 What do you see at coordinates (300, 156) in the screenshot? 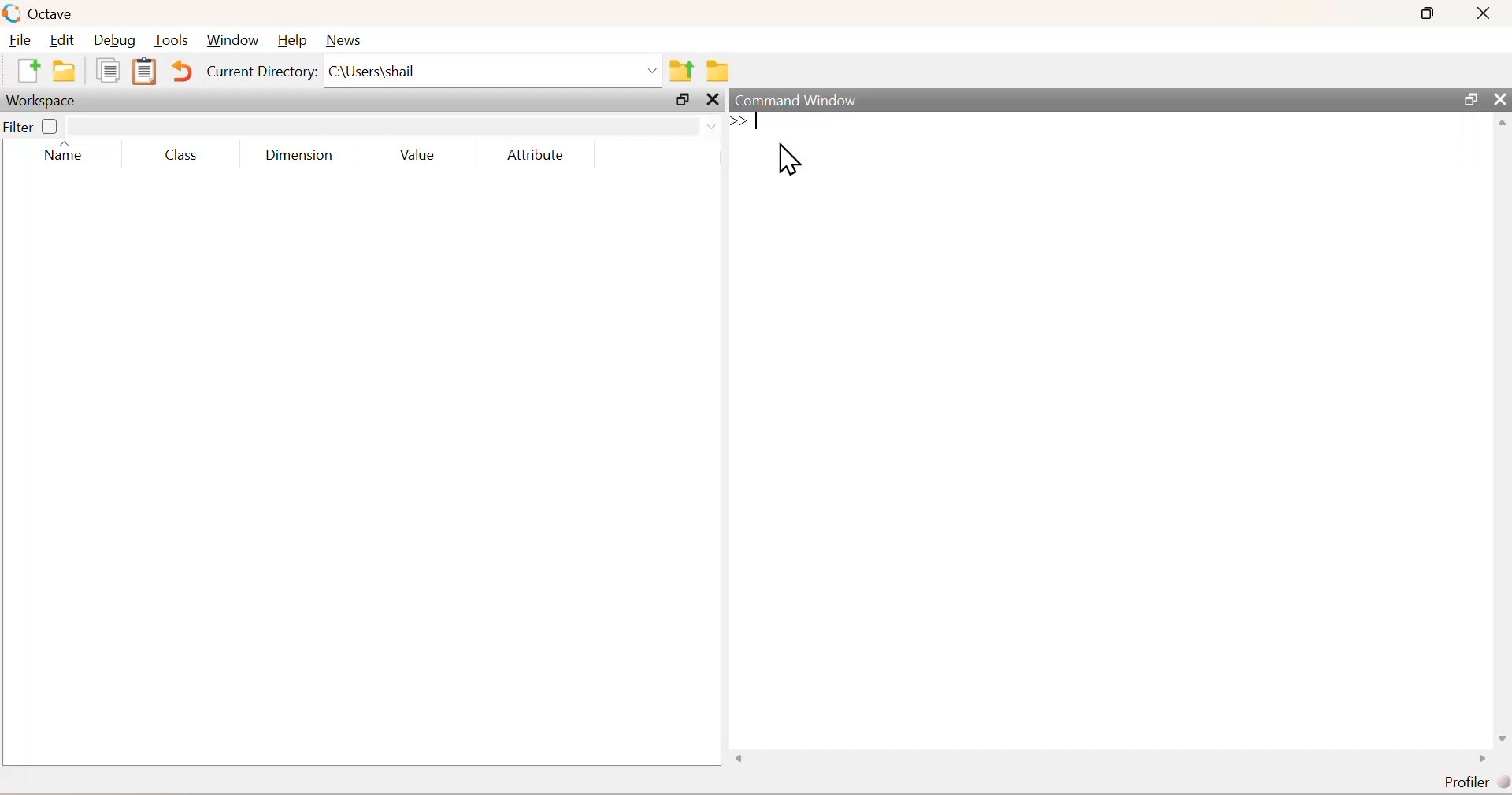
I see `Dimension` at bounding box center [300, 156].